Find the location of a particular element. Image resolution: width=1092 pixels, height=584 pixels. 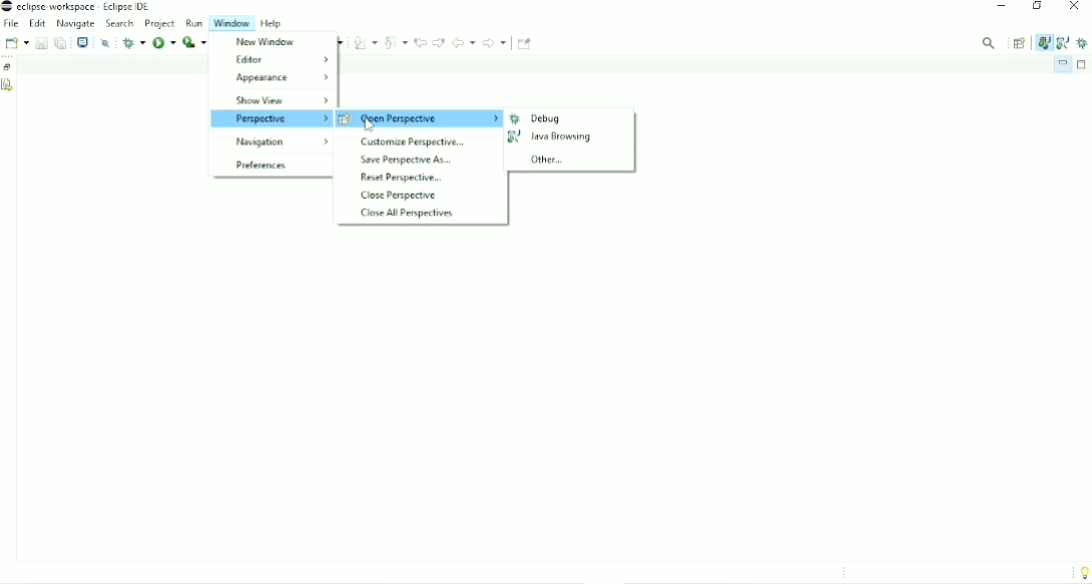

Close is located at coordinates (1075, 8).